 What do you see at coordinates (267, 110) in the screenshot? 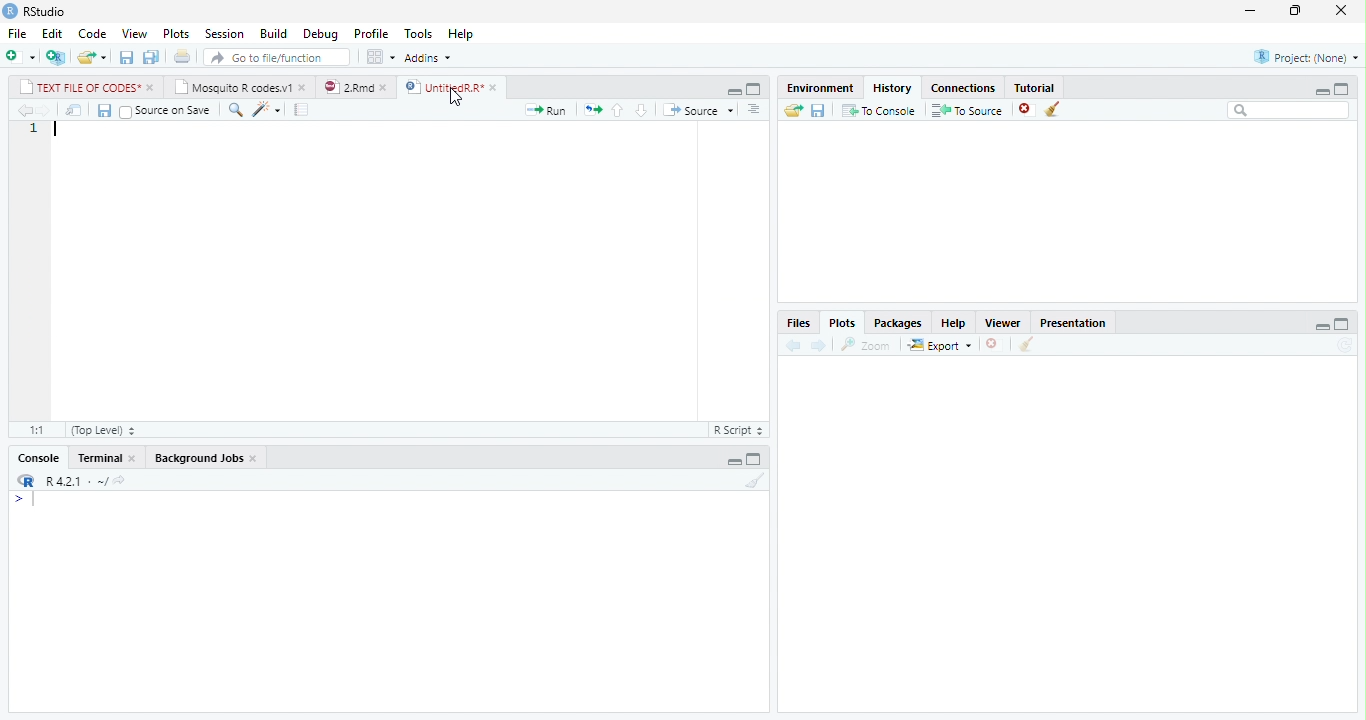
I see `code tools` at bounding box center [267, 110].